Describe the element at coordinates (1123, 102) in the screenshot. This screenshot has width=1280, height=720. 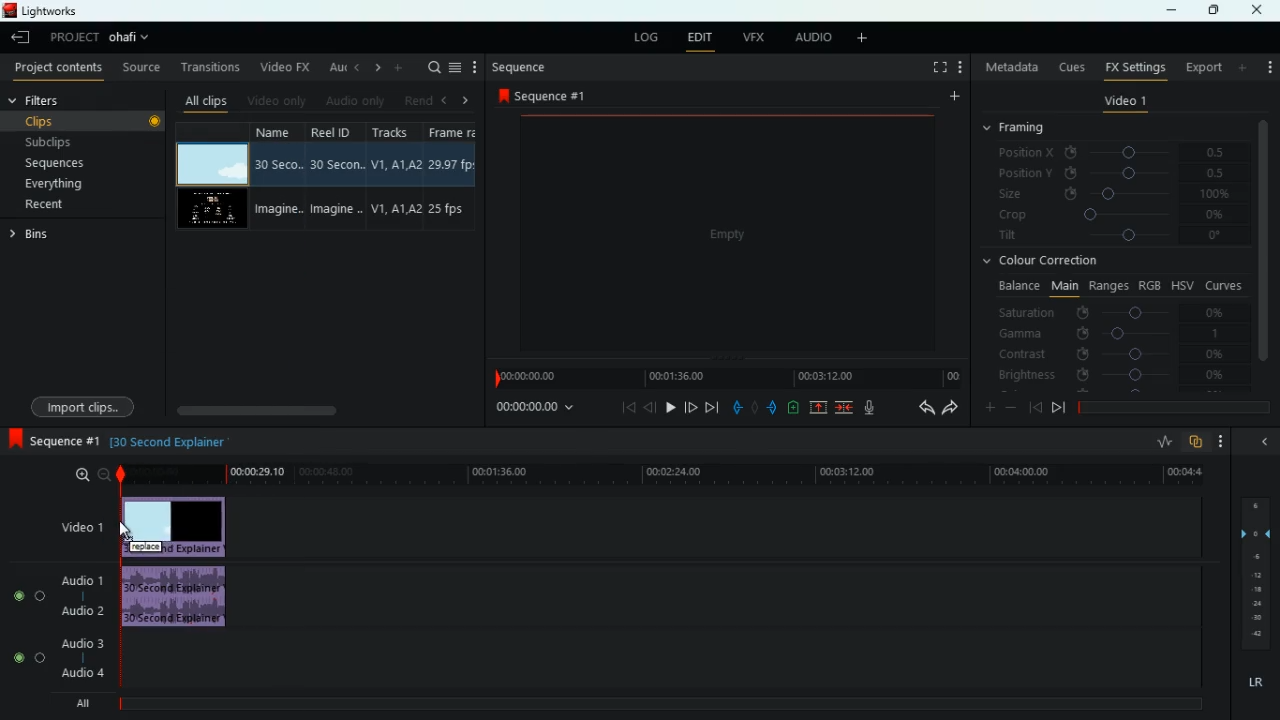
I see `video 1` at that location.